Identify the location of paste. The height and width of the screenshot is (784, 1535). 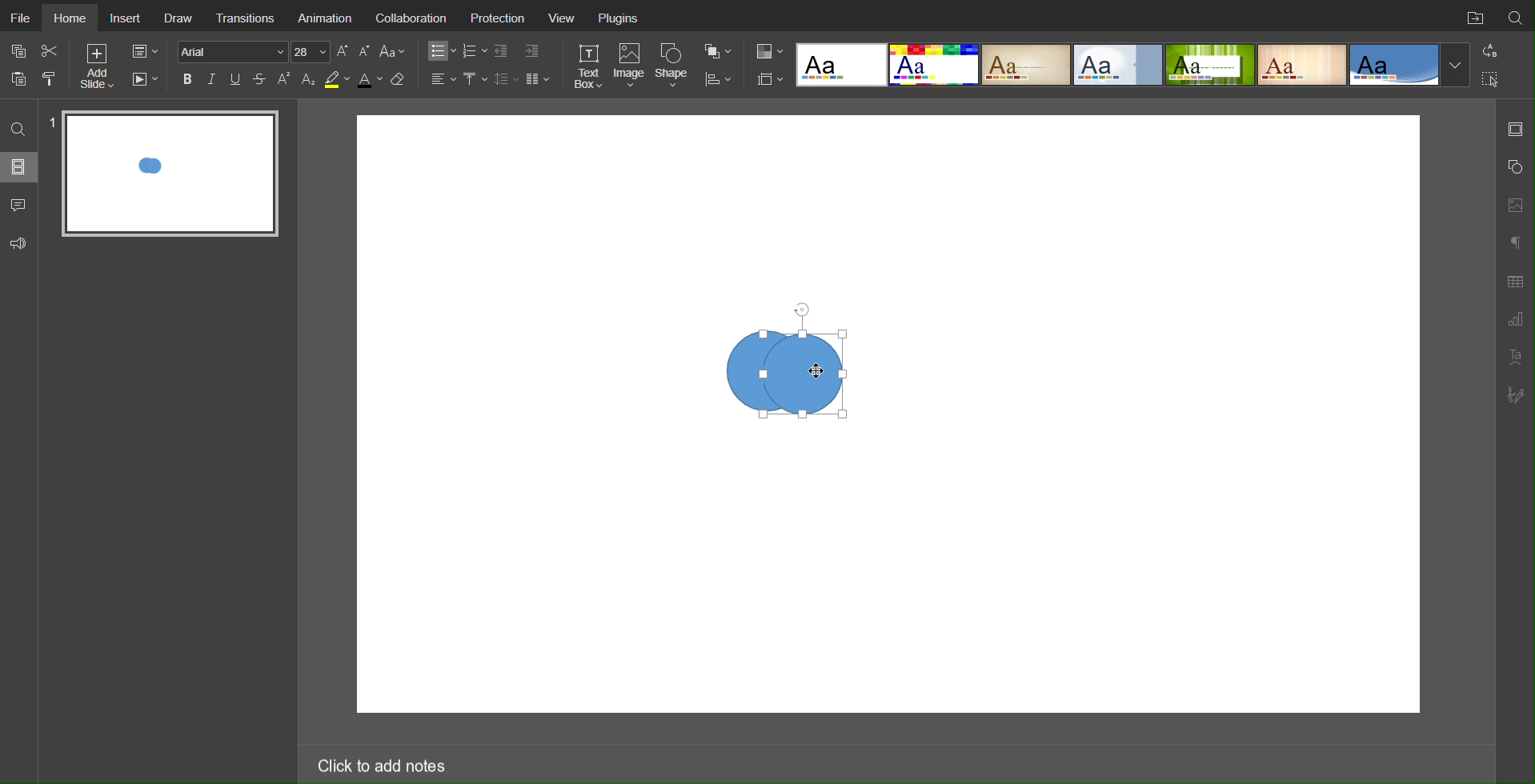
(21, 78).